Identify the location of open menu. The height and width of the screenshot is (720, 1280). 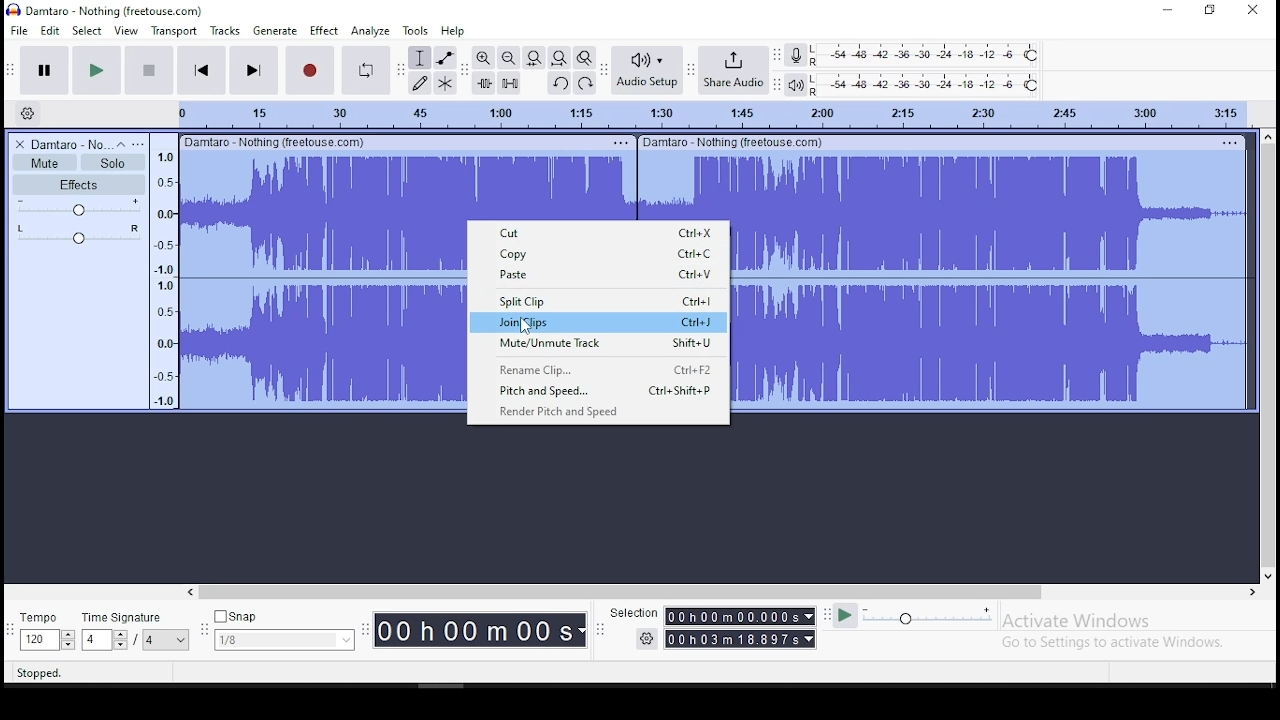
(139, 143).